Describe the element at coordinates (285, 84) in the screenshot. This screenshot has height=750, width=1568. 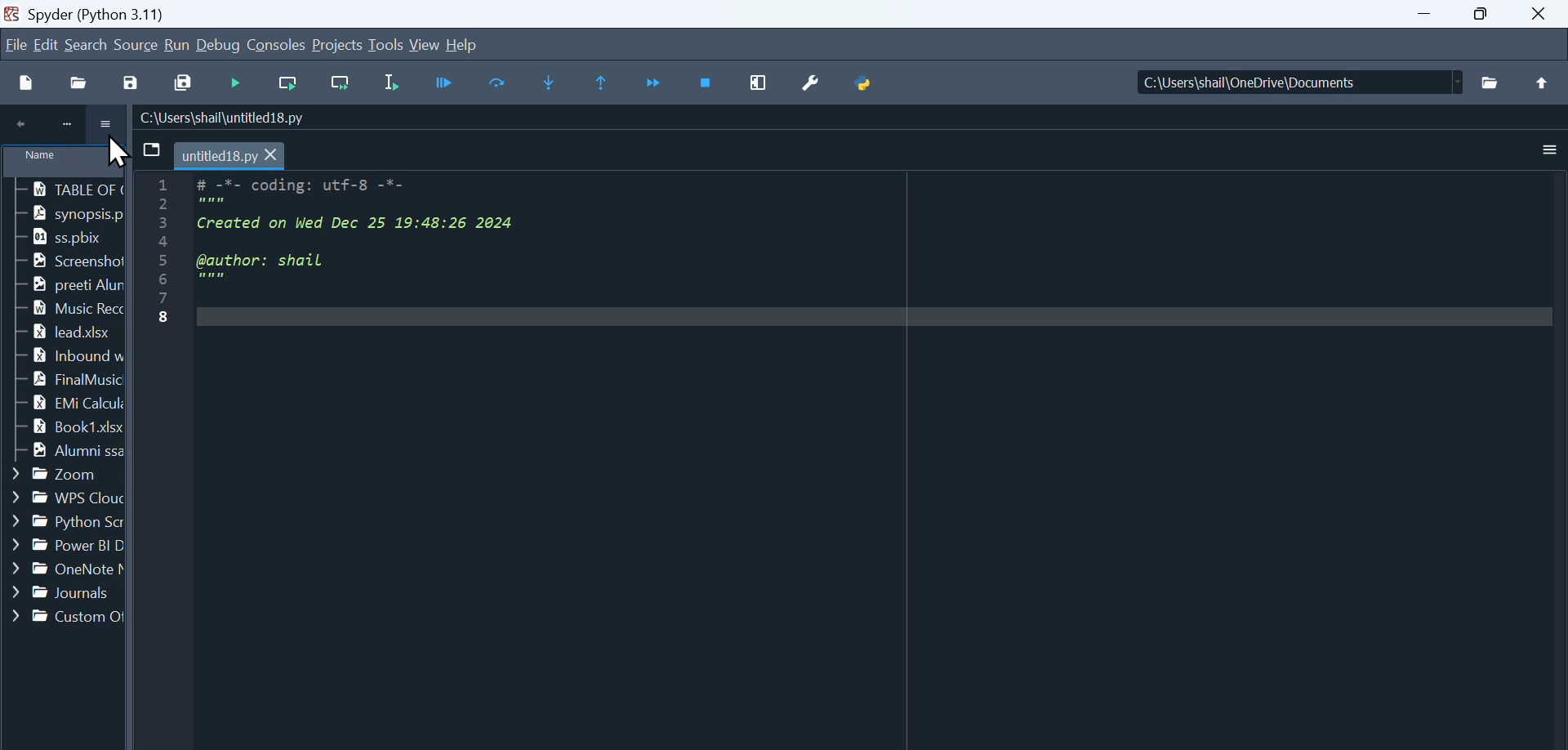
I see `Run current cell` at that location.